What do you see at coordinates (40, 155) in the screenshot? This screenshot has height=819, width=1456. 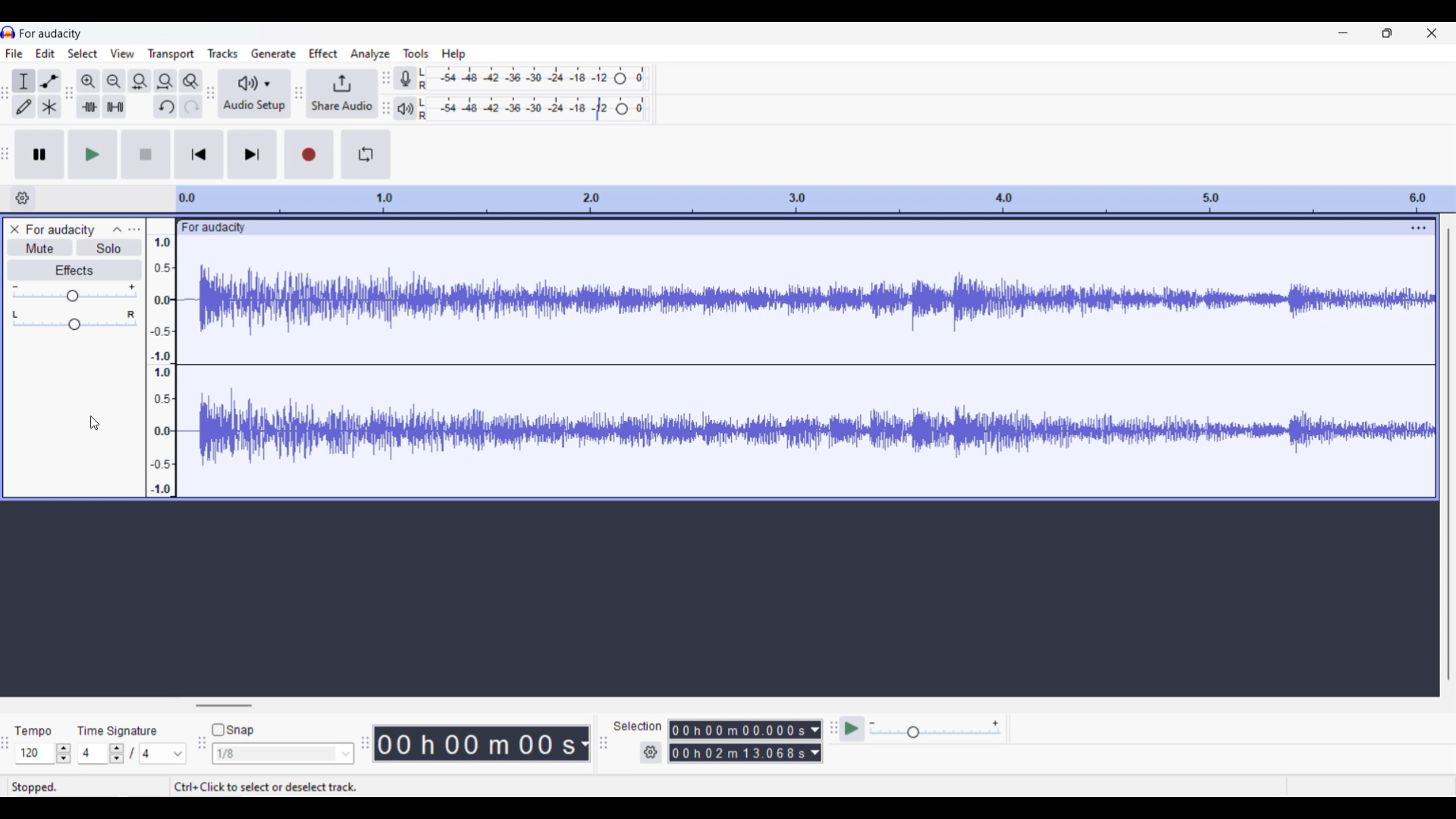 I see `Pause` at bounding box center [40, 155].